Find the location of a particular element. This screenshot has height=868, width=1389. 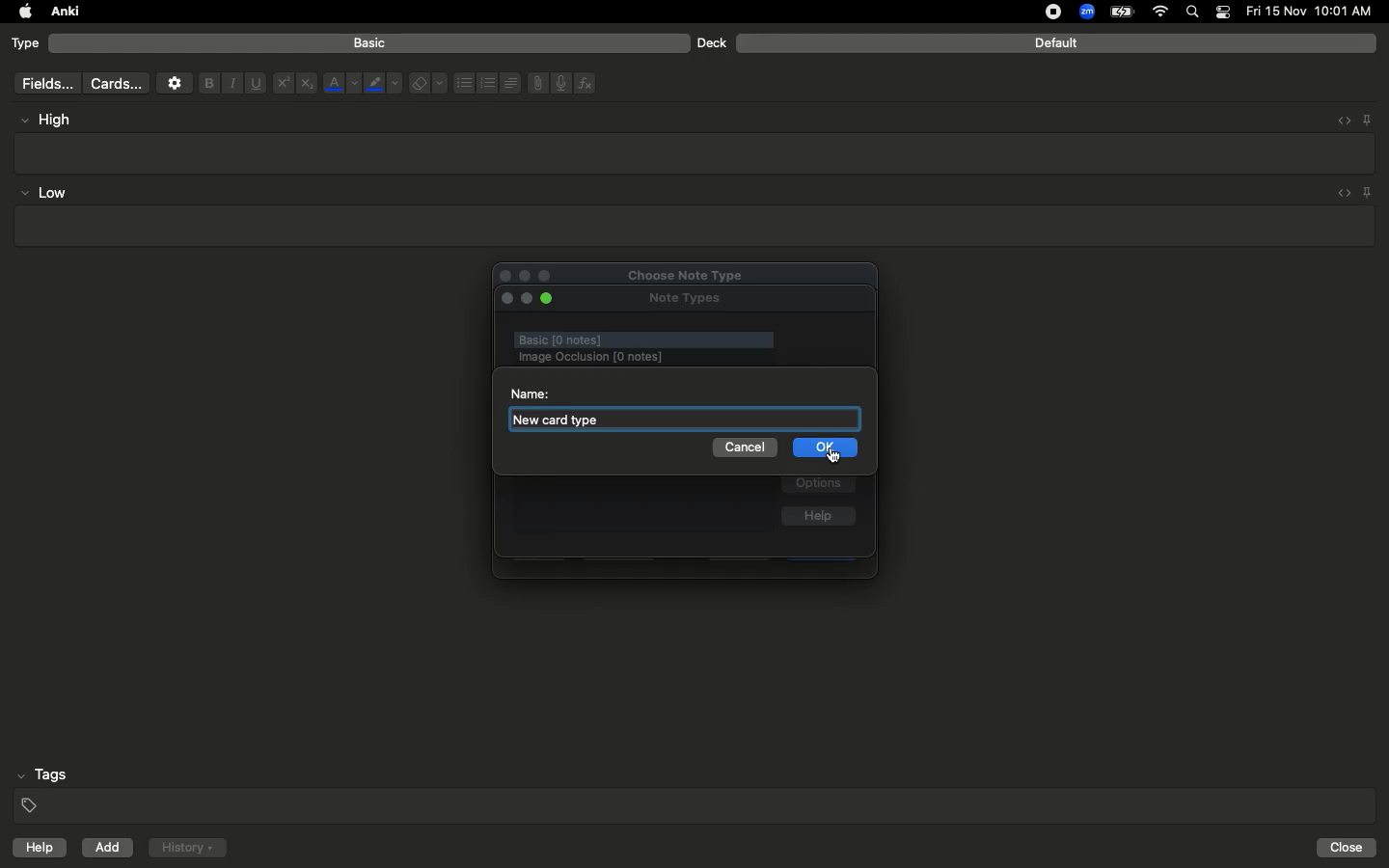

Underline is located at coordinates (255, 84).